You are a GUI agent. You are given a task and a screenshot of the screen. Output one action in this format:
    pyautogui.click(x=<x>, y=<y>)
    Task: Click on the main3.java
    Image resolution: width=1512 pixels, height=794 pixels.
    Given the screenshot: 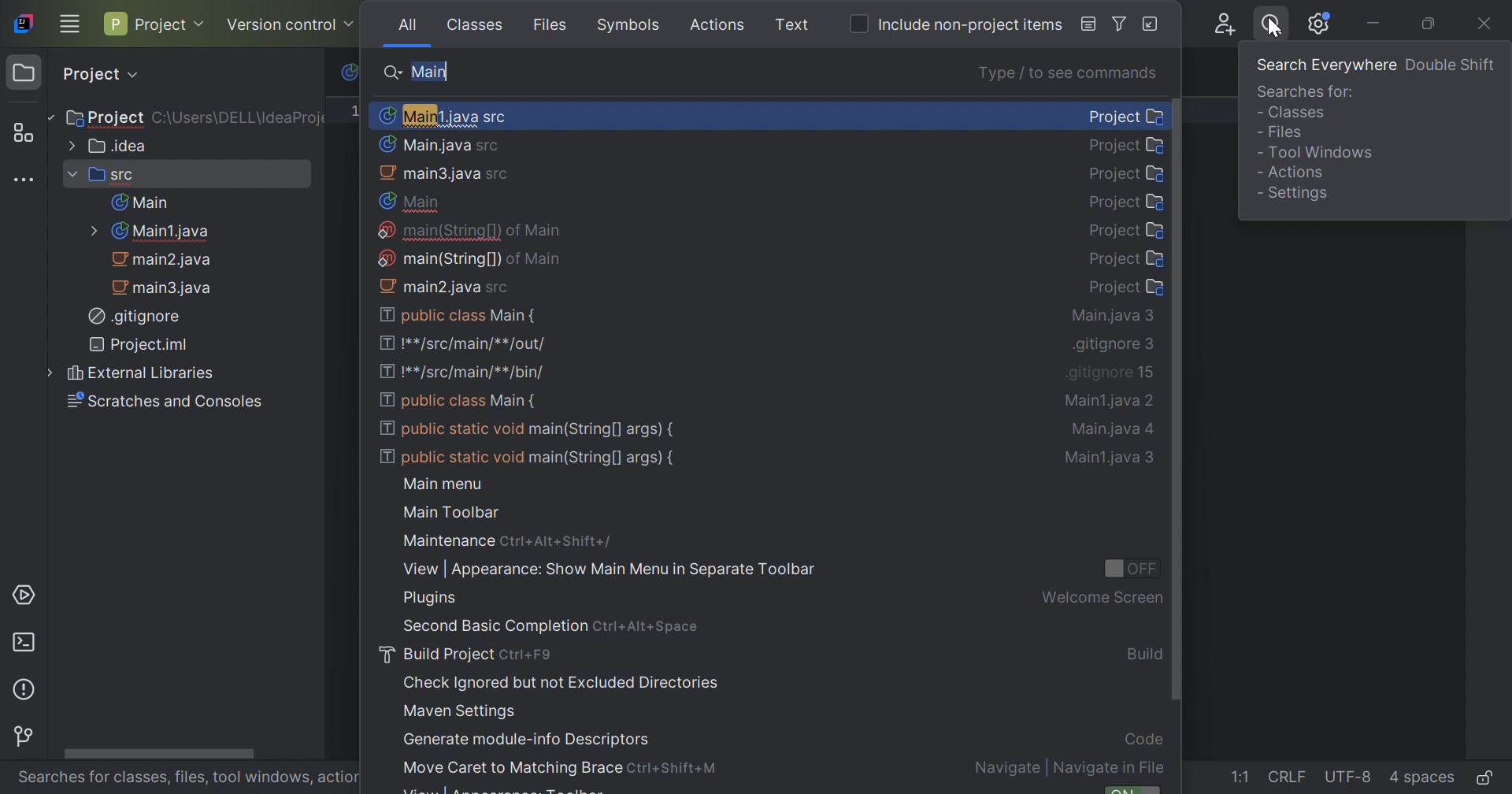 What is the action you would take?
    pyautogui.click(x=165, y=287)
    